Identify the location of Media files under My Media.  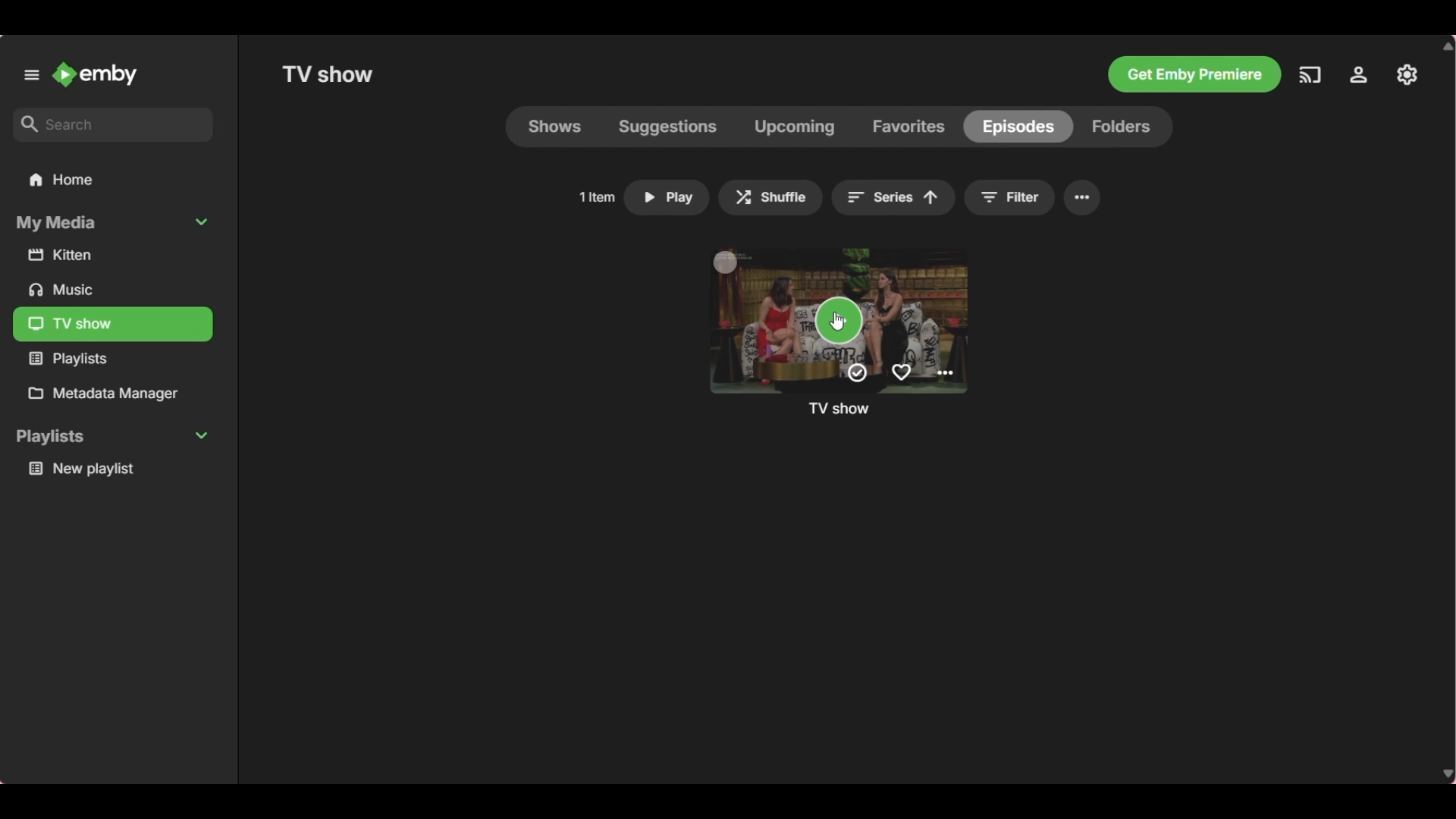
(115, 257).